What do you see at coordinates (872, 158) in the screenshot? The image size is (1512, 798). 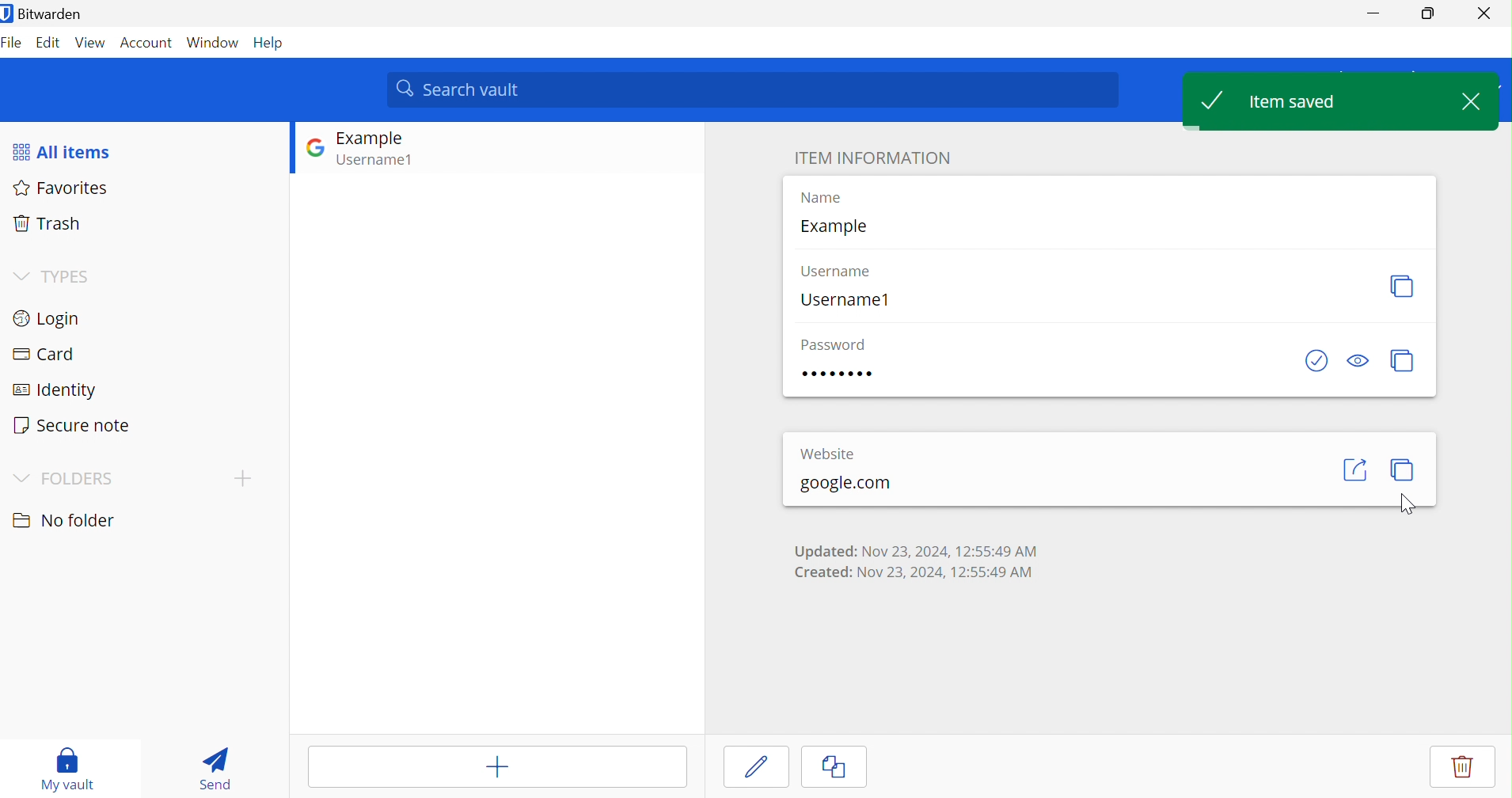 I see `ITEM INFORMATION` at bounding box center [872, 158].